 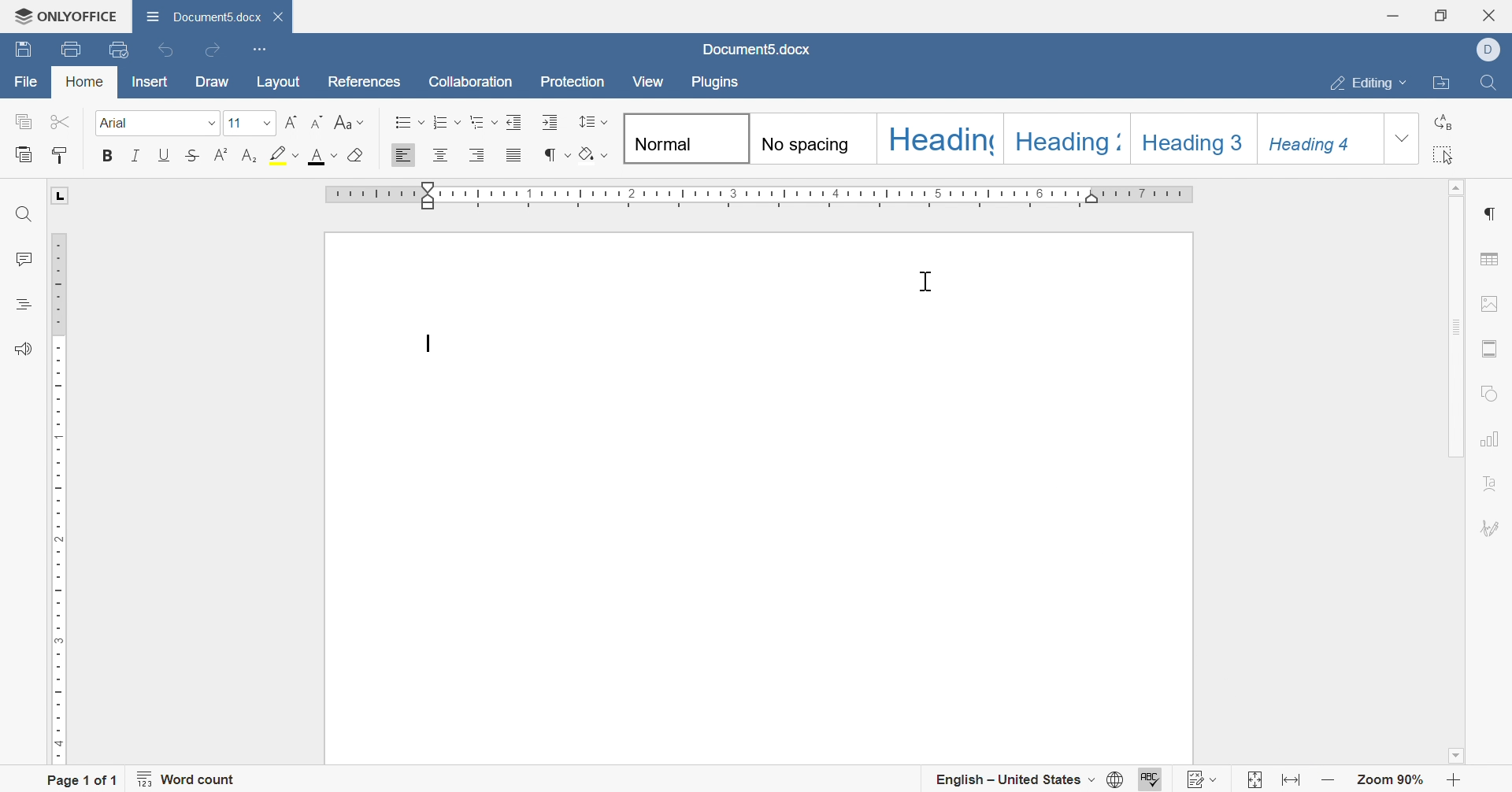 What do you see at coordinates (57, 194) in the screenshot?
I see `L` at bounding box center [57, 194].